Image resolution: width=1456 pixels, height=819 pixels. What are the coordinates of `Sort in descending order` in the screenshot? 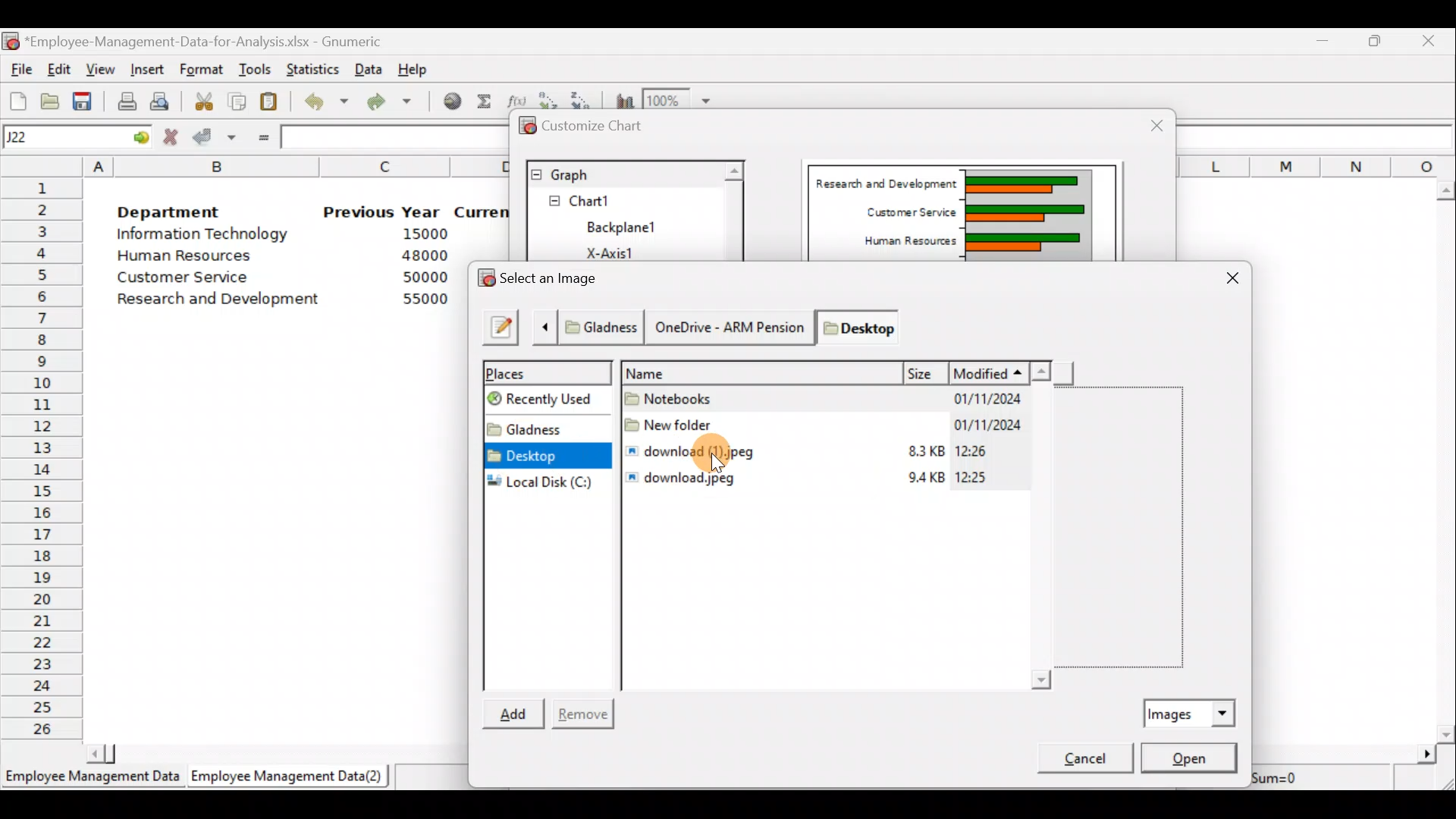 It's located at (584, 96).